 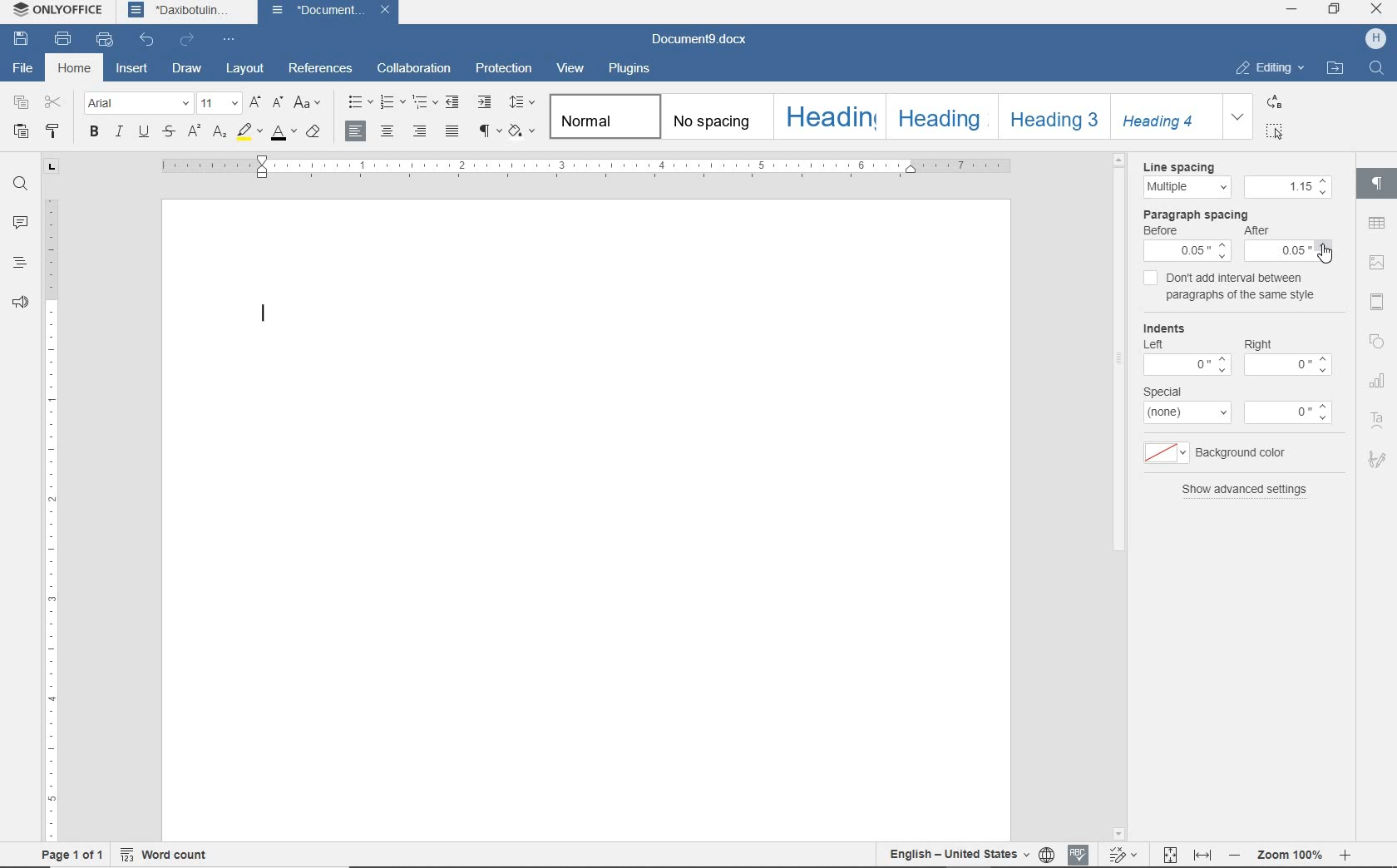 I want to click on find, so click(x=20, y=185).